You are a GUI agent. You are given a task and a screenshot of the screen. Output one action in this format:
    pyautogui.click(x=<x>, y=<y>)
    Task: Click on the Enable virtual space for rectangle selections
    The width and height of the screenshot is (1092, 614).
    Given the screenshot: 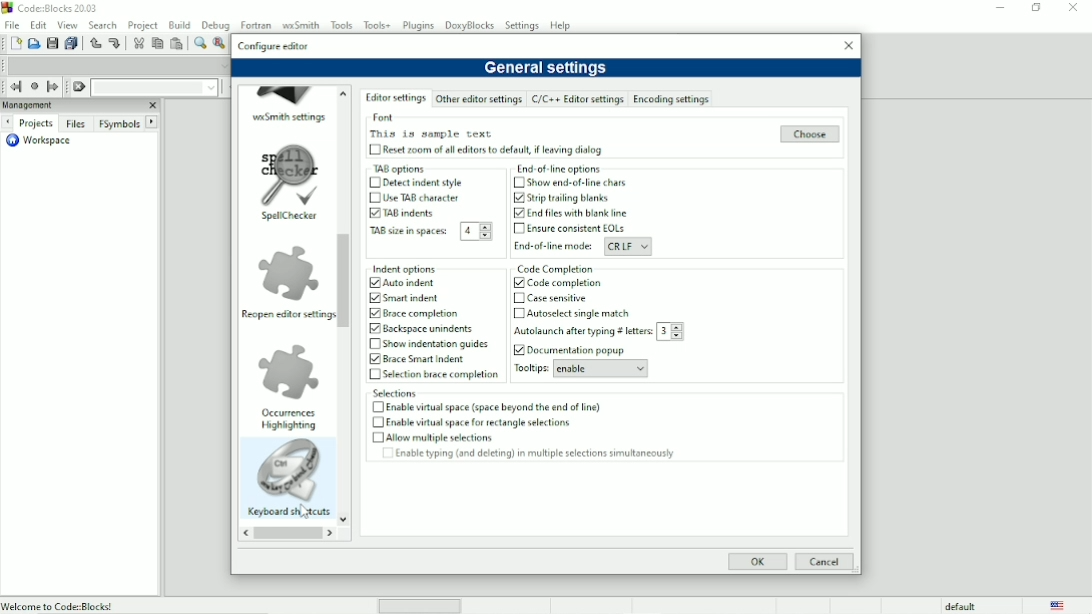 What is the action you would take?
    pyautogui.click(x=484, y=421)
    